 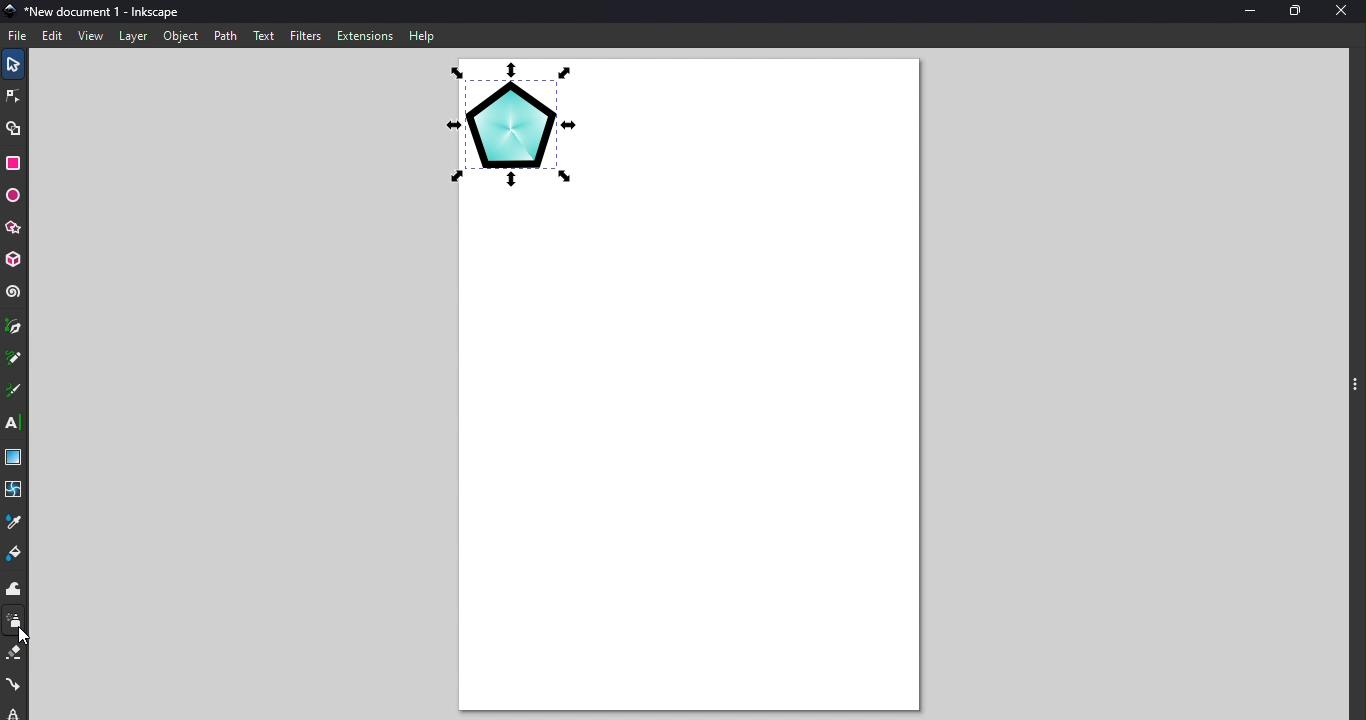 I want to click on Toggle command panel, so click(x=1353, y=387).